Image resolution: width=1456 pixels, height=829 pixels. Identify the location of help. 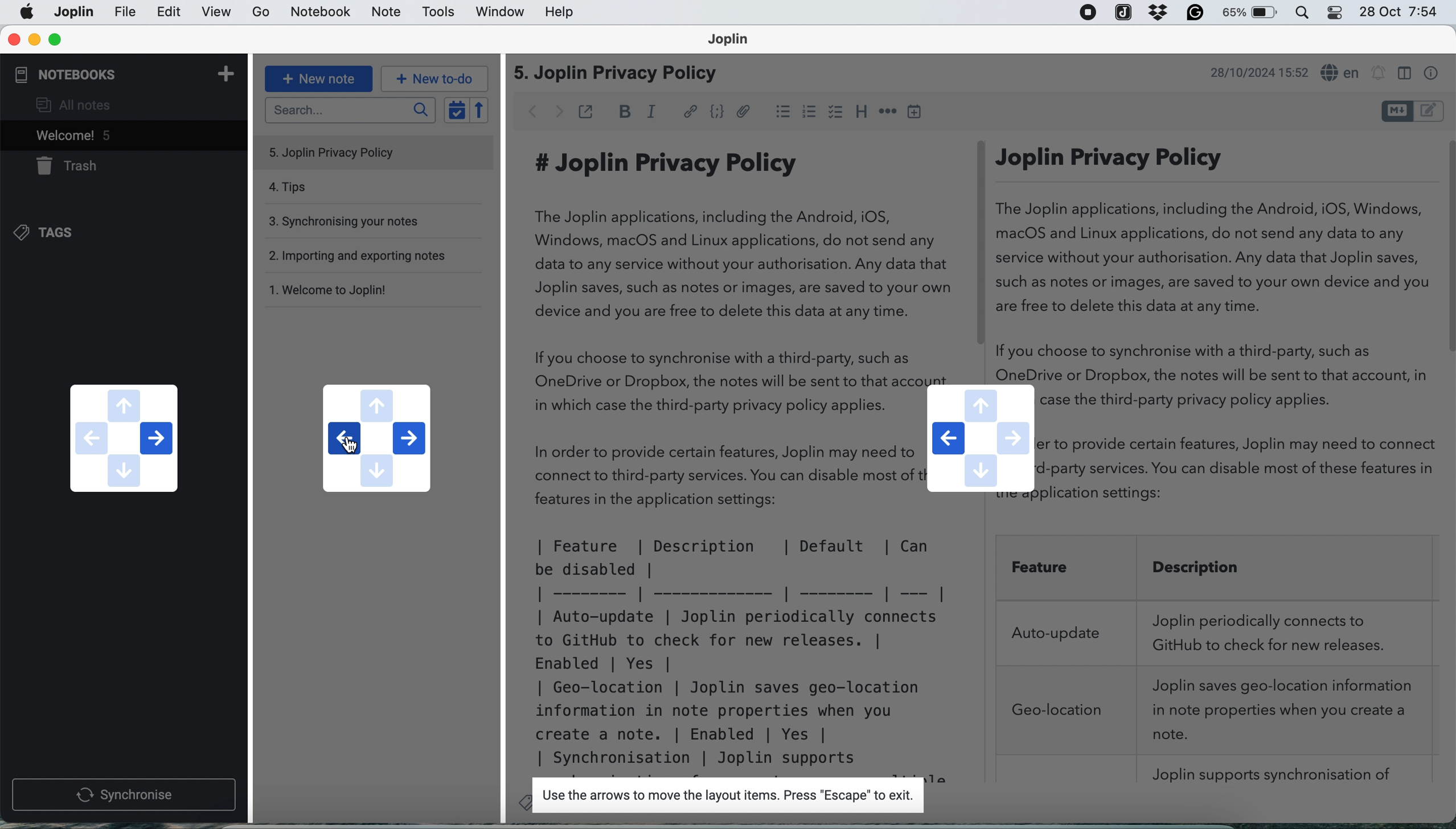
(561, 13).